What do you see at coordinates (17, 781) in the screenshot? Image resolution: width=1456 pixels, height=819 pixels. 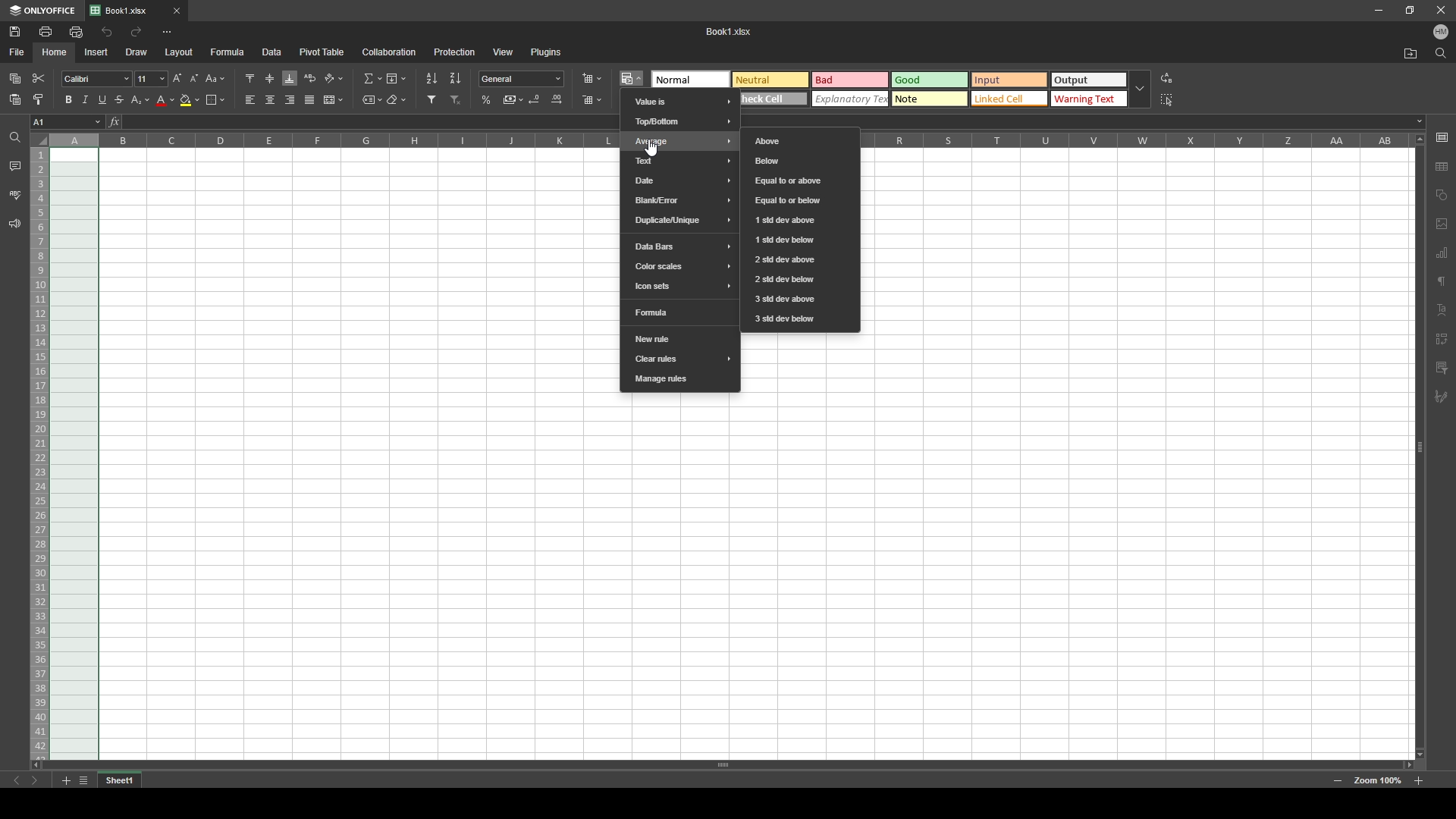 I see `previous` at bounding box center [17, 781].